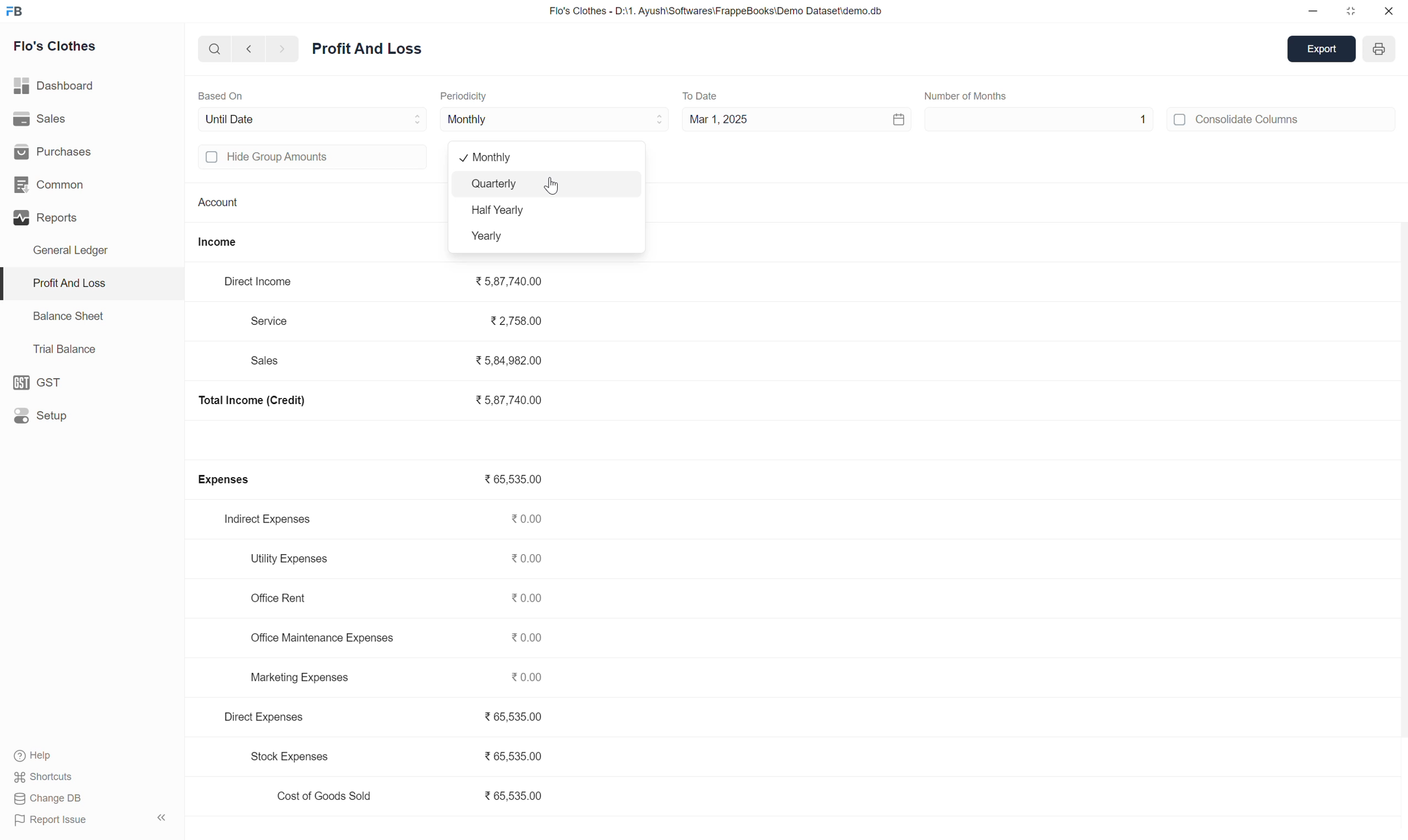  I want to click on + Monthly, so click(490, 158).